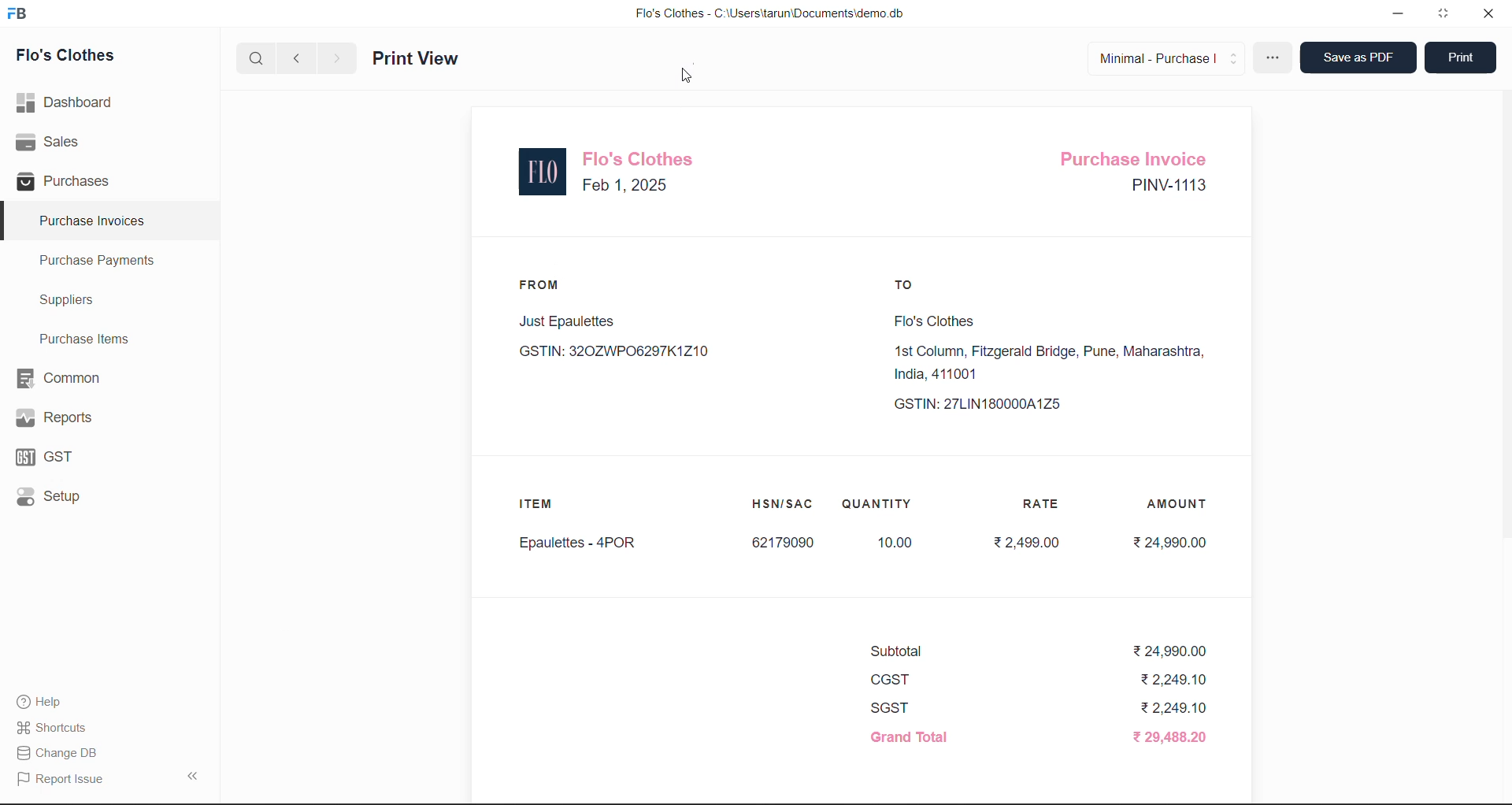 The image size is (1512, 805). What do you see at coordinates (785, 504) in the screenshot?
I see `HSN/SAC` at bounding box center [785, 504].